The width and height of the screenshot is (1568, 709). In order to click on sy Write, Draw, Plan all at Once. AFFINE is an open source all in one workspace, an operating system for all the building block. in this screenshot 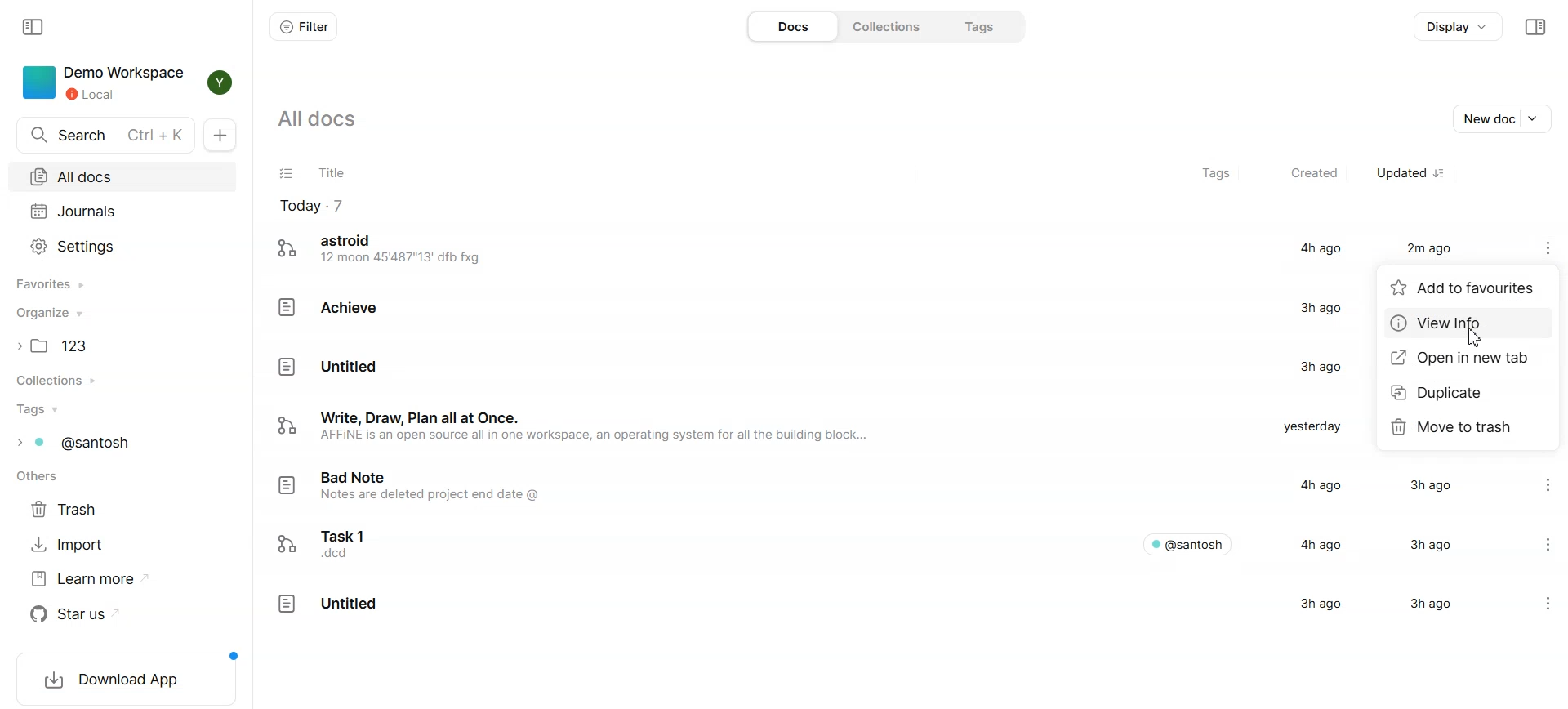, I will do `click(575, 429)`.